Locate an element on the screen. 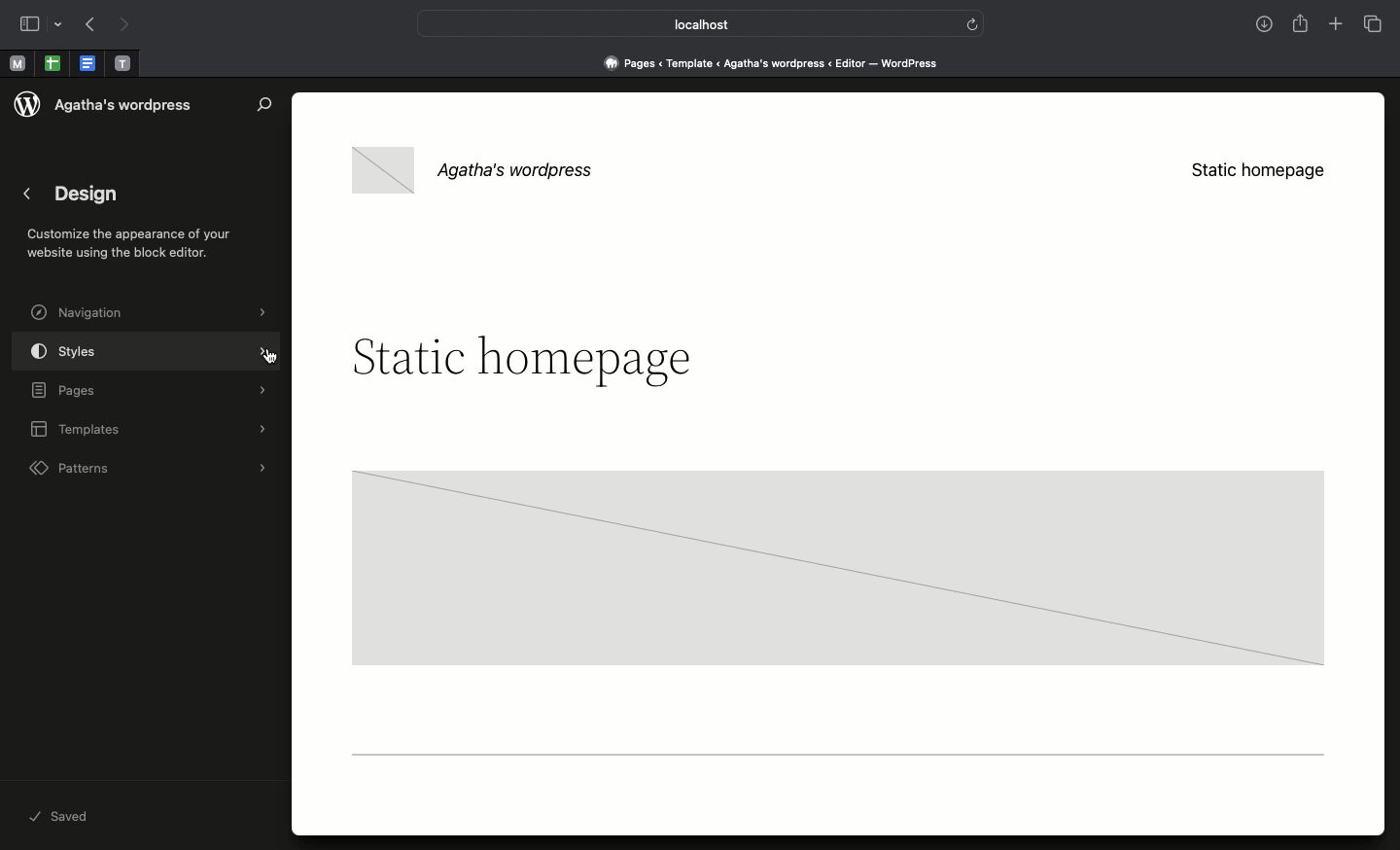 The width and height of the screenshot is (1400, 850). Downloads is located at coordinates (1266, 26).